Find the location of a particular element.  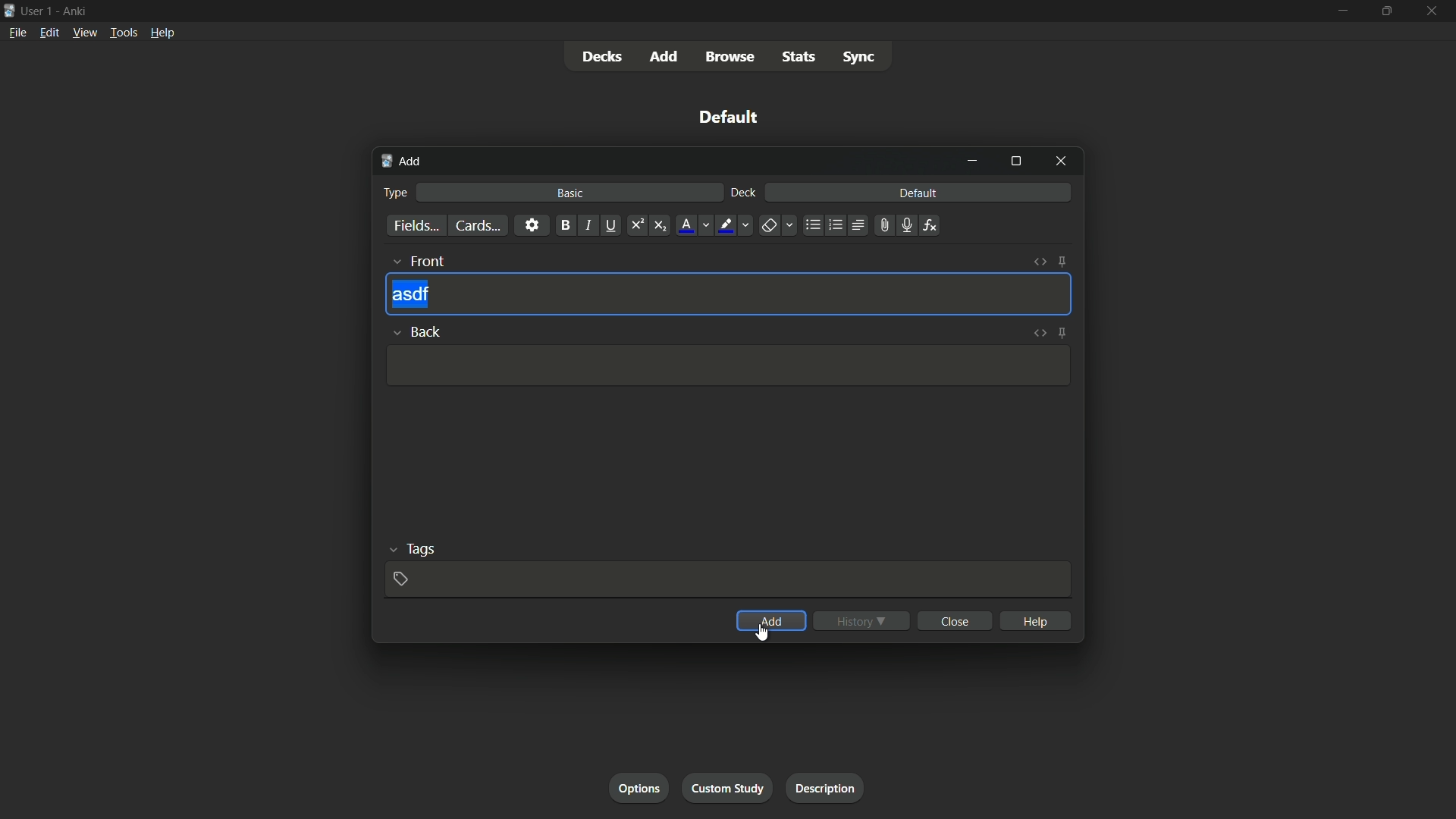

text highlight is located at coordinates (733, 225).